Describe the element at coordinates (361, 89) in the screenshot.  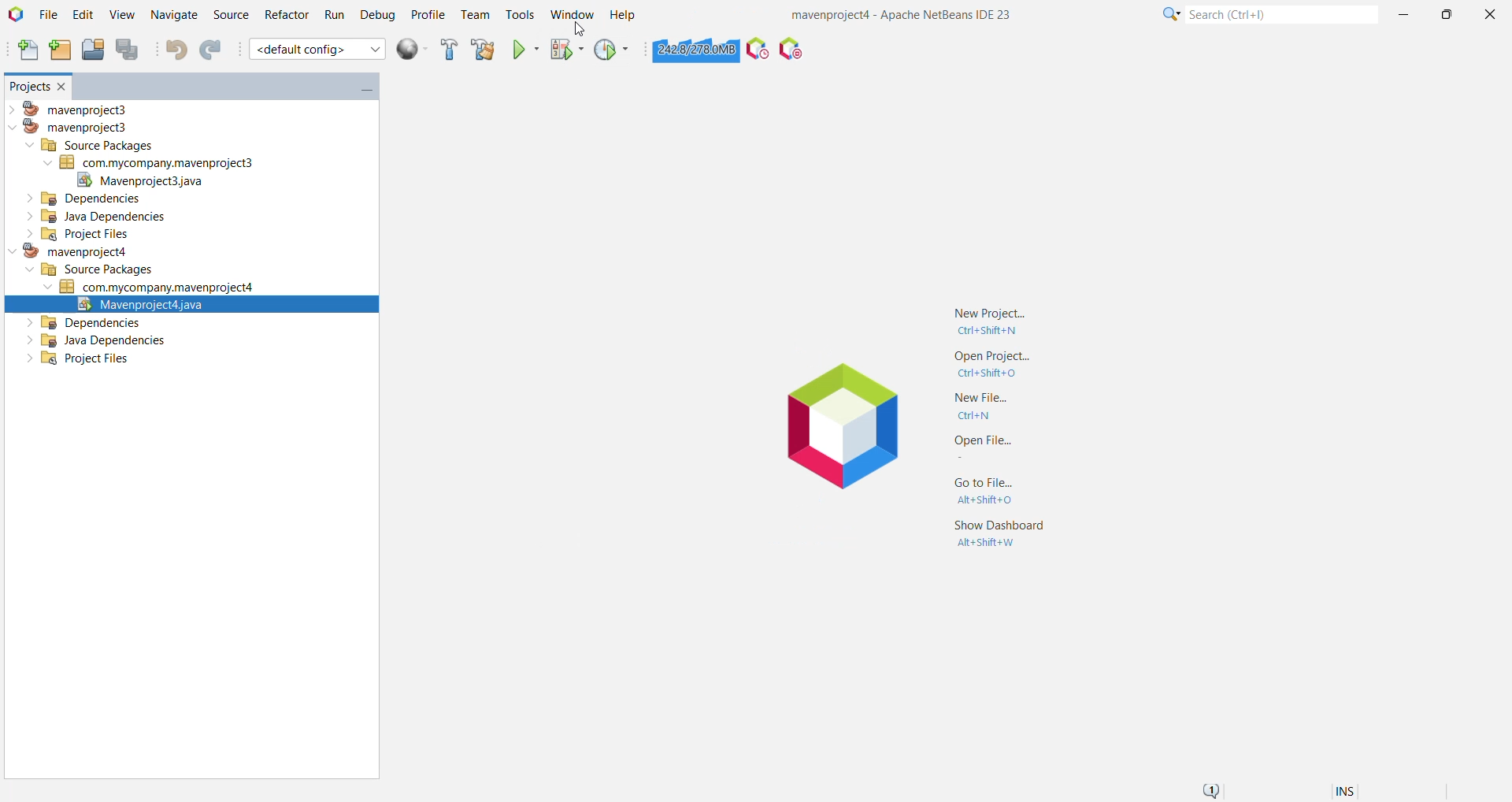
I see `Minimize Window Group` at that location.